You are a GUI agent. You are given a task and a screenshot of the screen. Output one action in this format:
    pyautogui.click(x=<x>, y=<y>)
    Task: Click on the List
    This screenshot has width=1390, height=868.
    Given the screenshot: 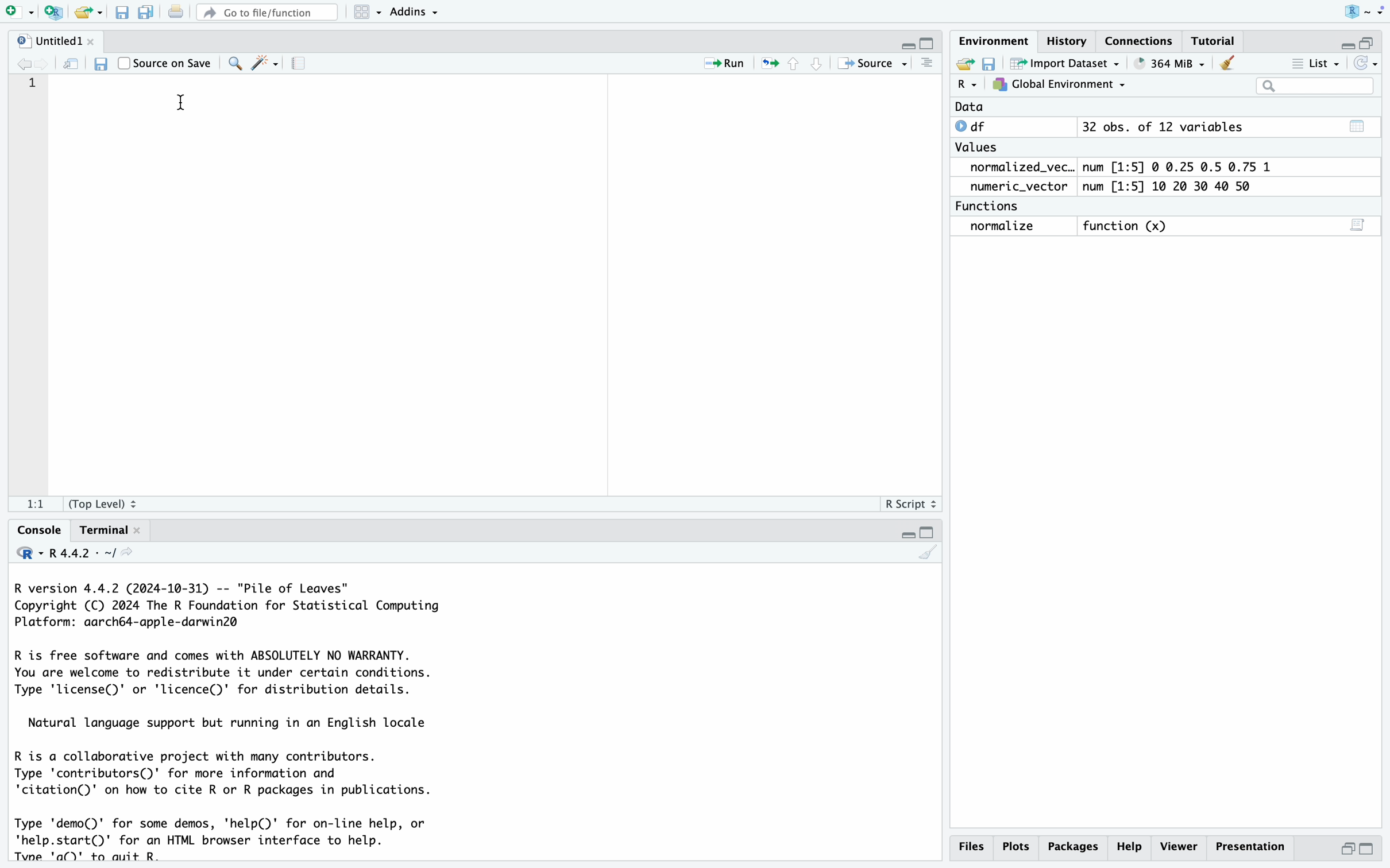 What is the action you would take?
    pyautogui.click(x=1318, y=65)
    